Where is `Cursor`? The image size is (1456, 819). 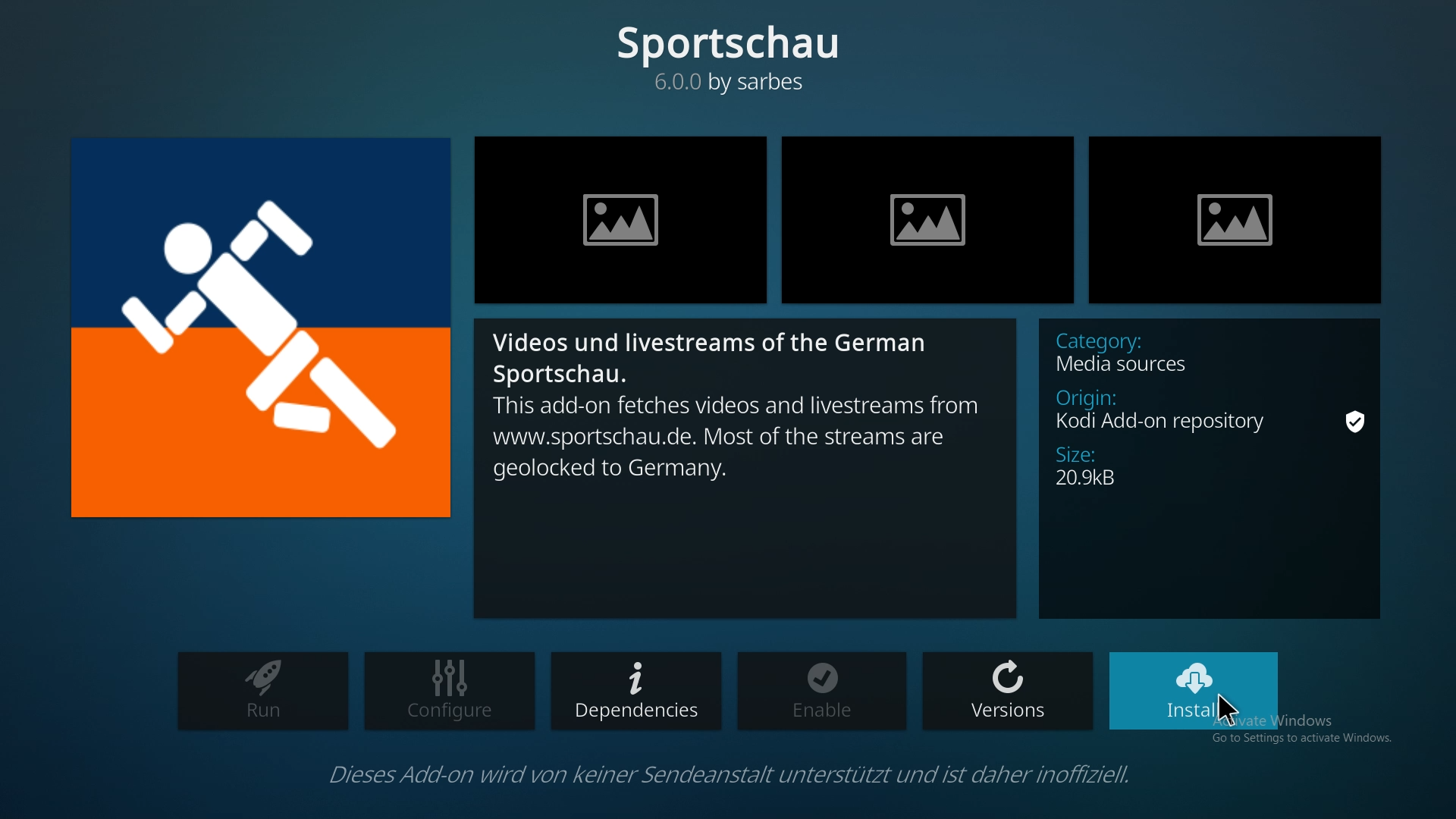 Cursor is located at coordinates (1240, 718).